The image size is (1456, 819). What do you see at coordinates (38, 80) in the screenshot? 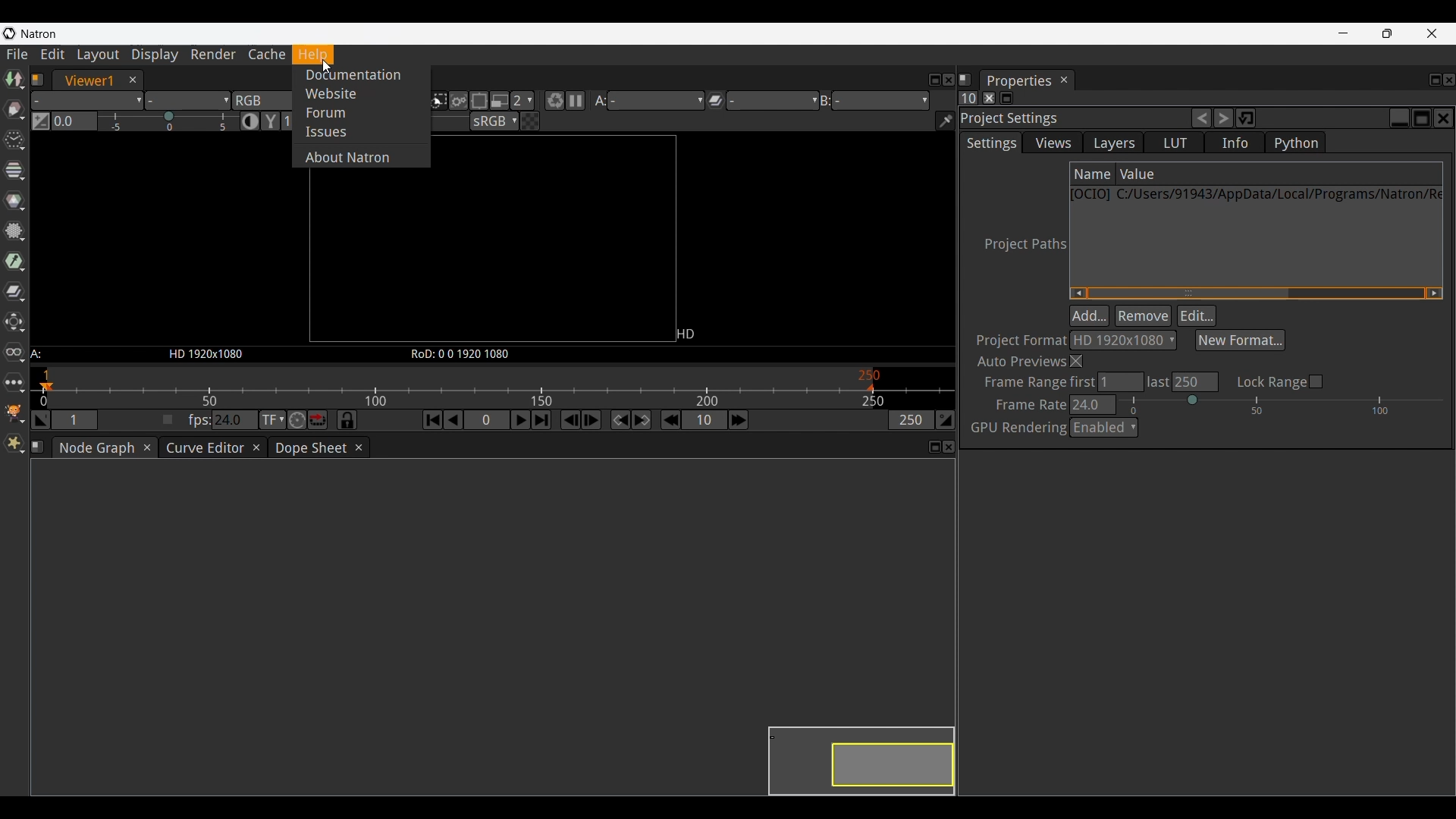
I see `Pane 1 information ` at bounding box center [38, 80].